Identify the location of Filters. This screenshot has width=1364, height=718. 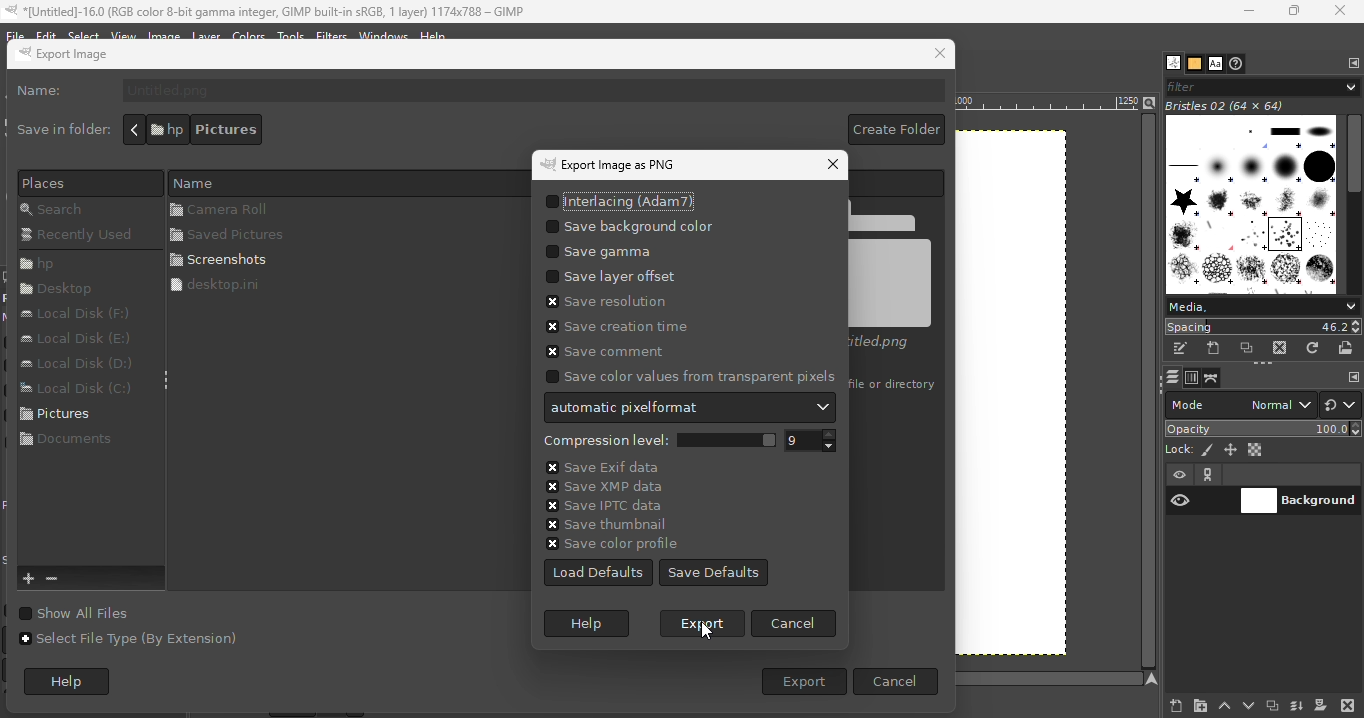
(330, 35).